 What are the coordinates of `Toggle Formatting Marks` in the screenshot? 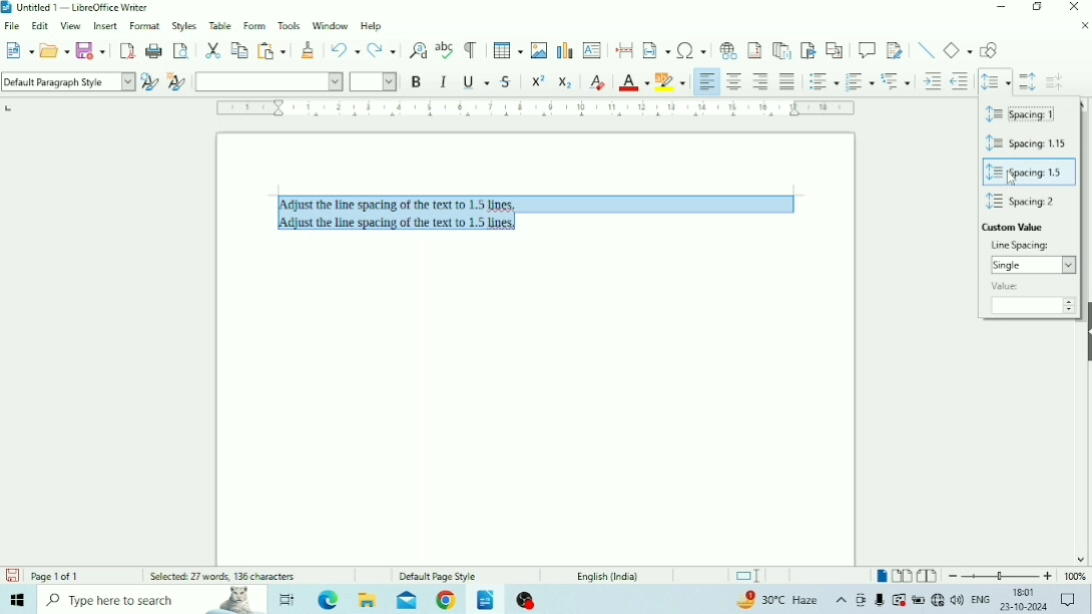 It's located at (472, 50).